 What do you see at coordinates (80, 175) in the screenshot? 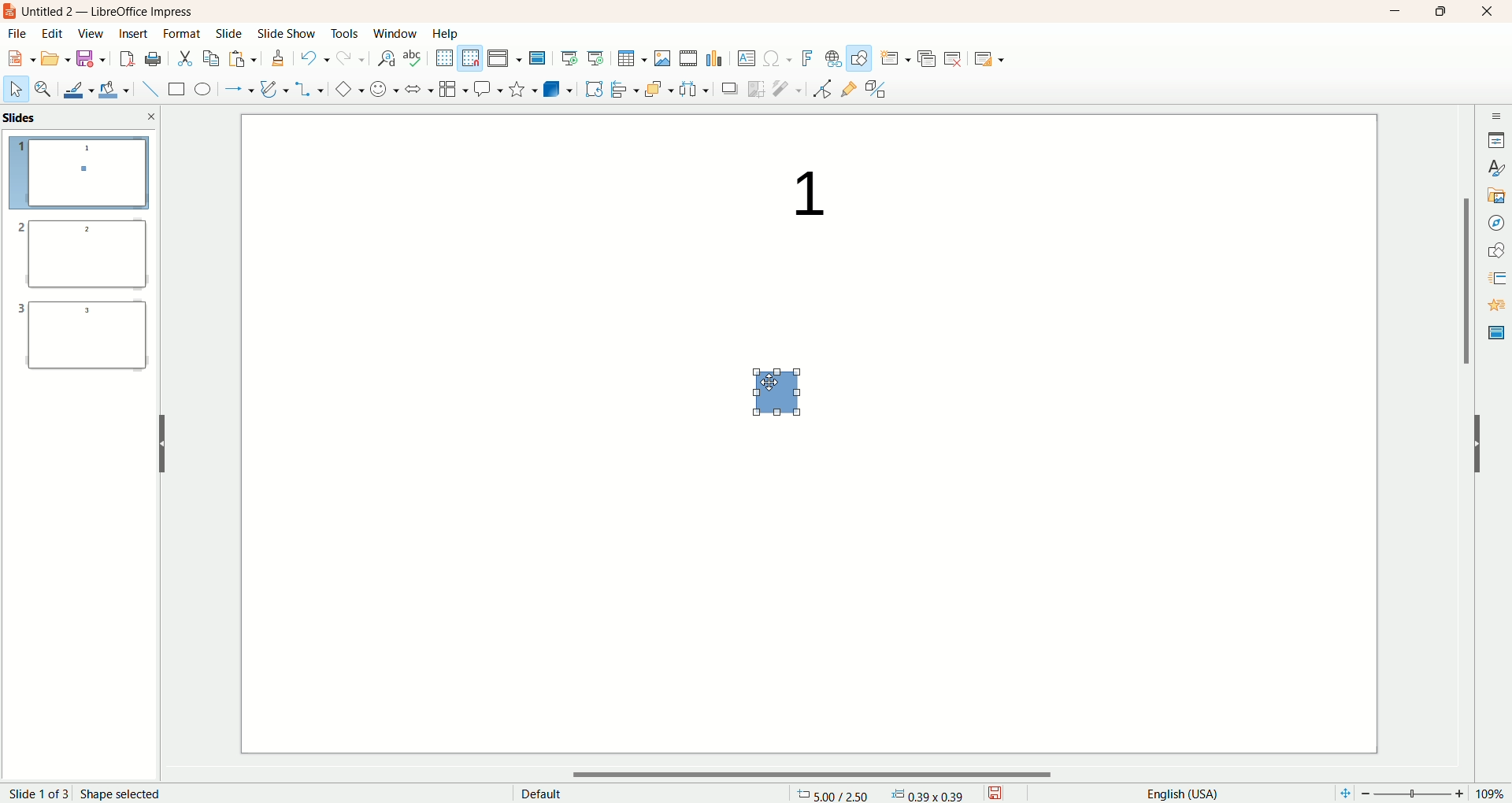
I see `slide 1` at bounding box center [80, 175].